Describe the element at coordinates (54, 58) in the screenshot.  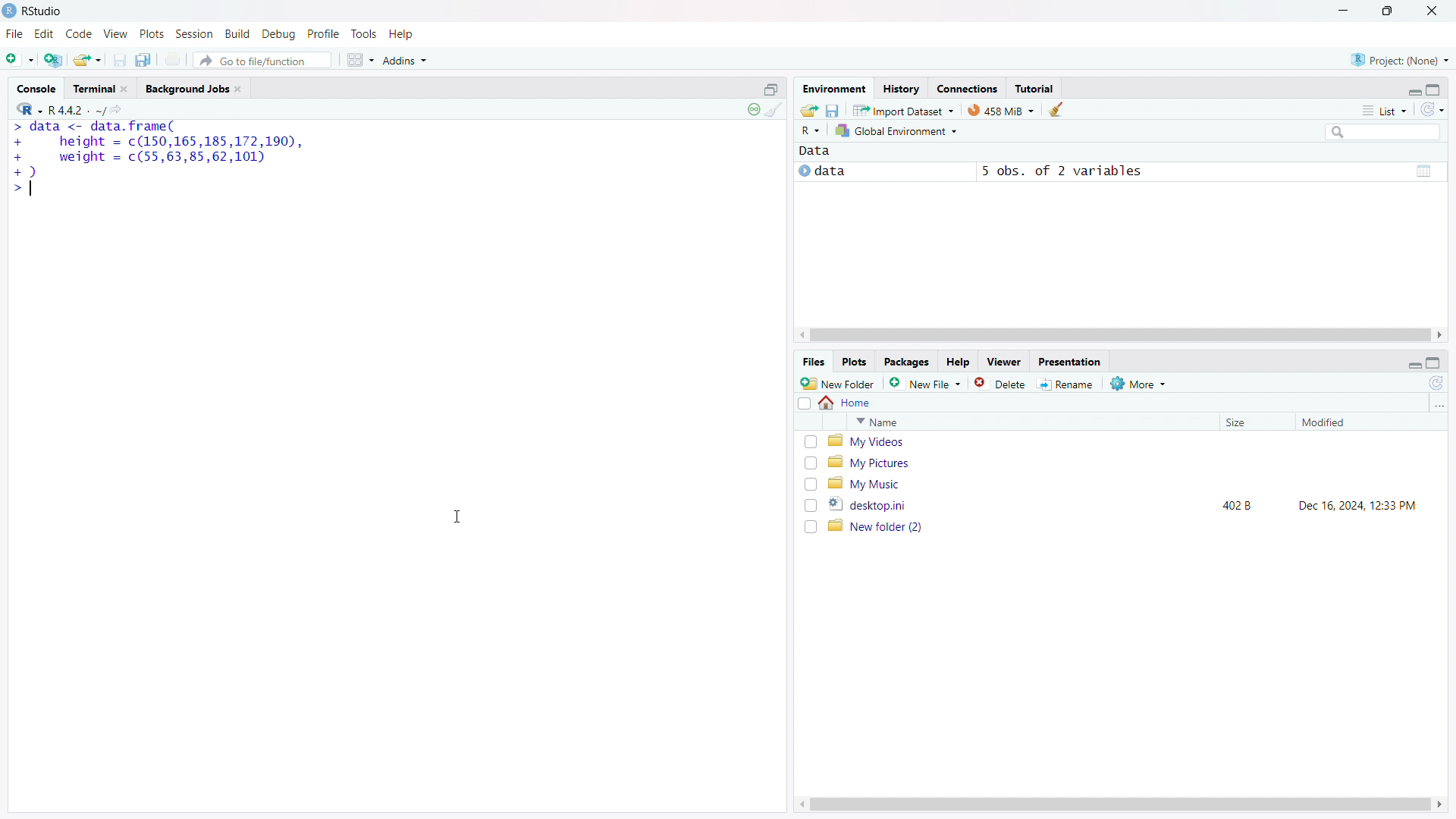
I see `create a project` at that location.